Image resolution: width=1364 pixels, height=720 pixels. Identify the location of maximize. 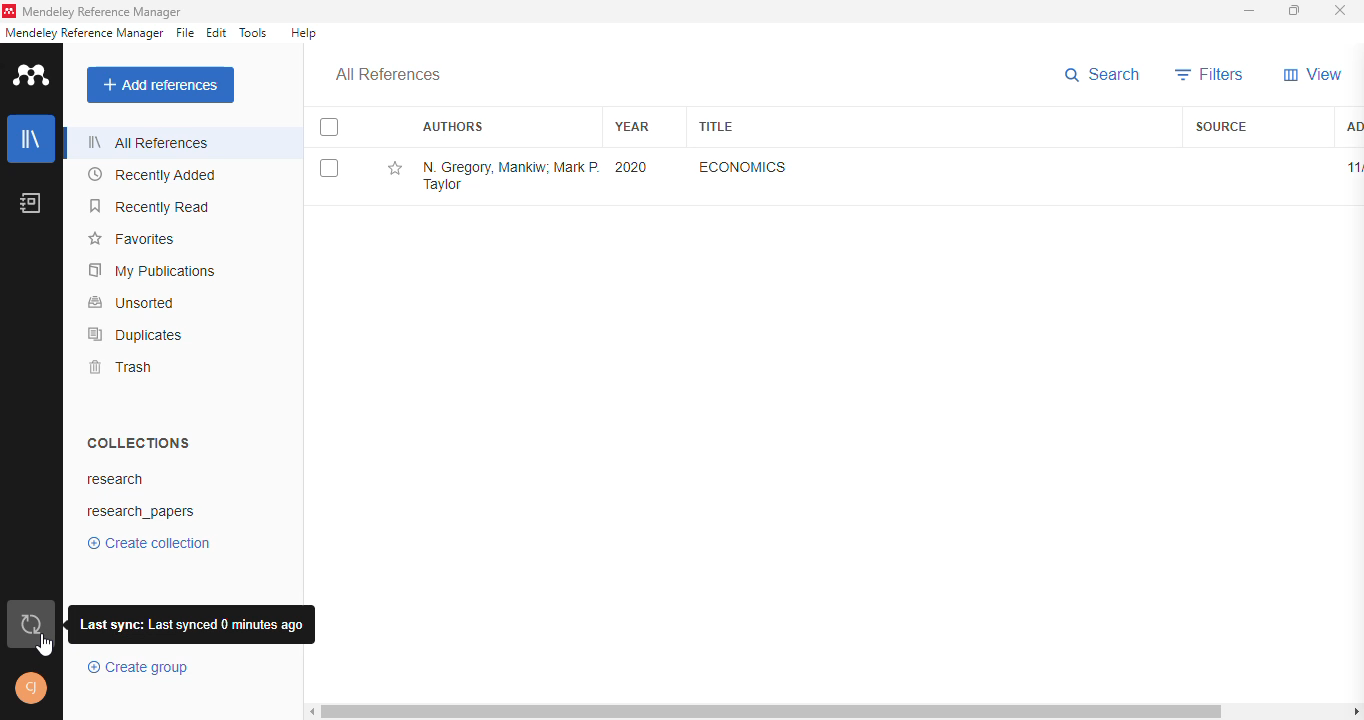
(1294, 10).